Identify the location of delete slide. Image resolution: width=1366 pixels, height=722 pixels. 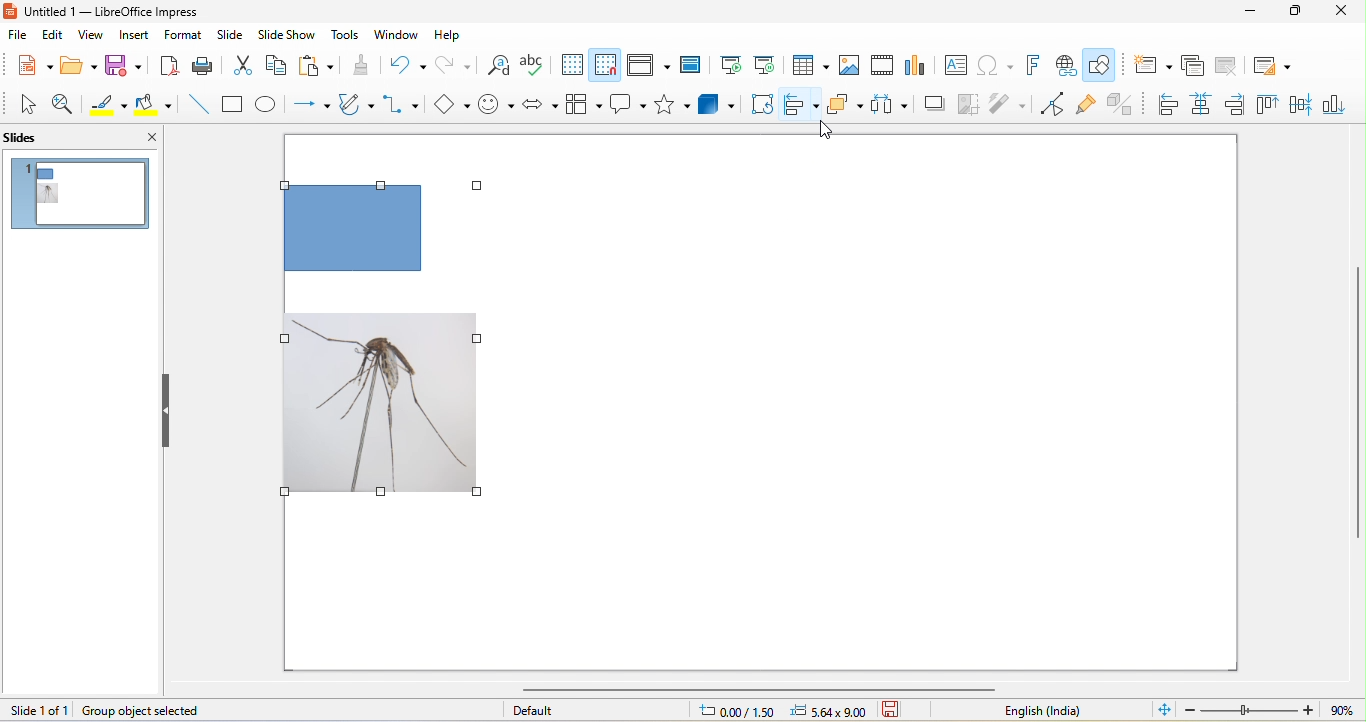
(1230, 66).